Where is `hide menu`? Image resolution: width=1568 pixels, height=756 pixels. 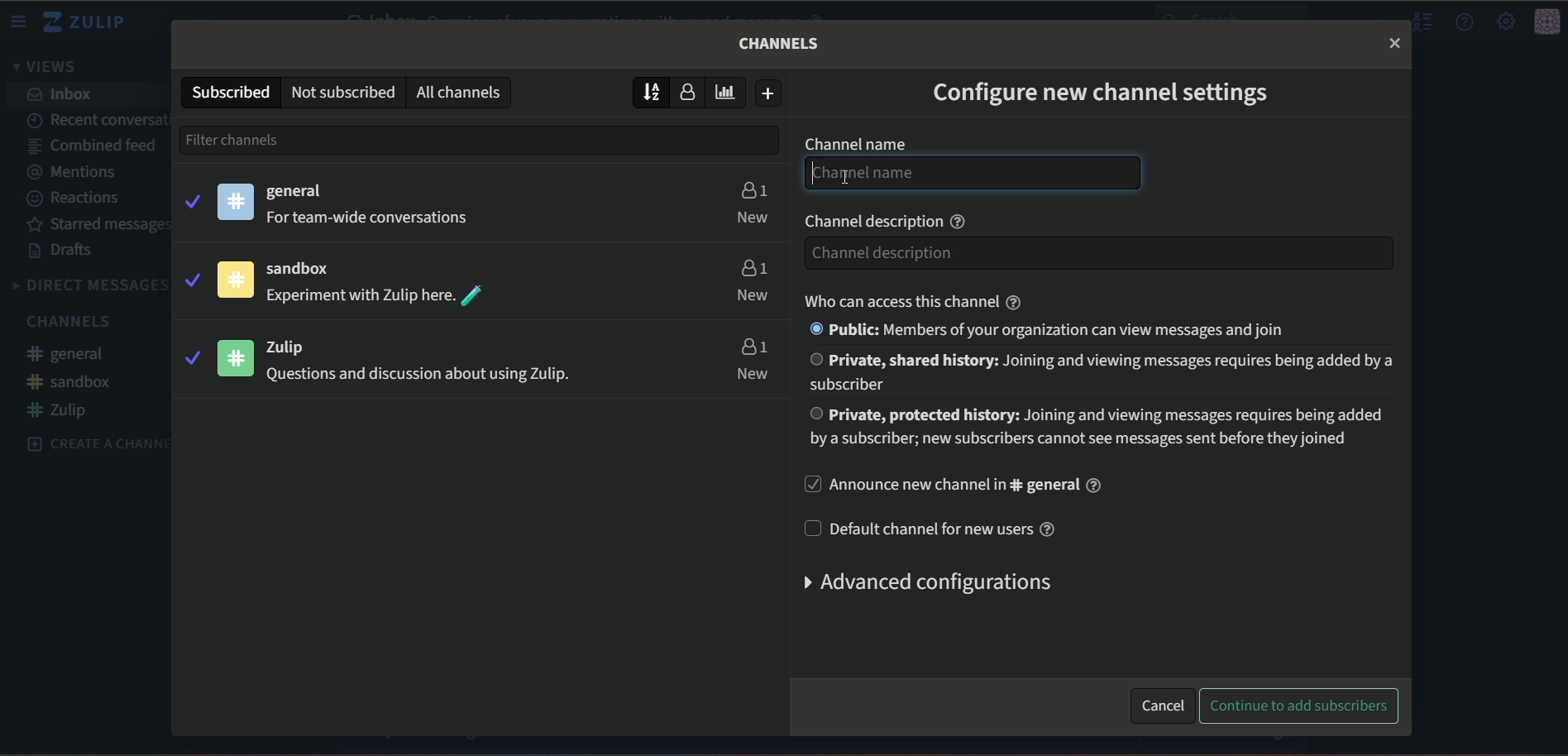 hide menu is located at coordinates (1424, 22).